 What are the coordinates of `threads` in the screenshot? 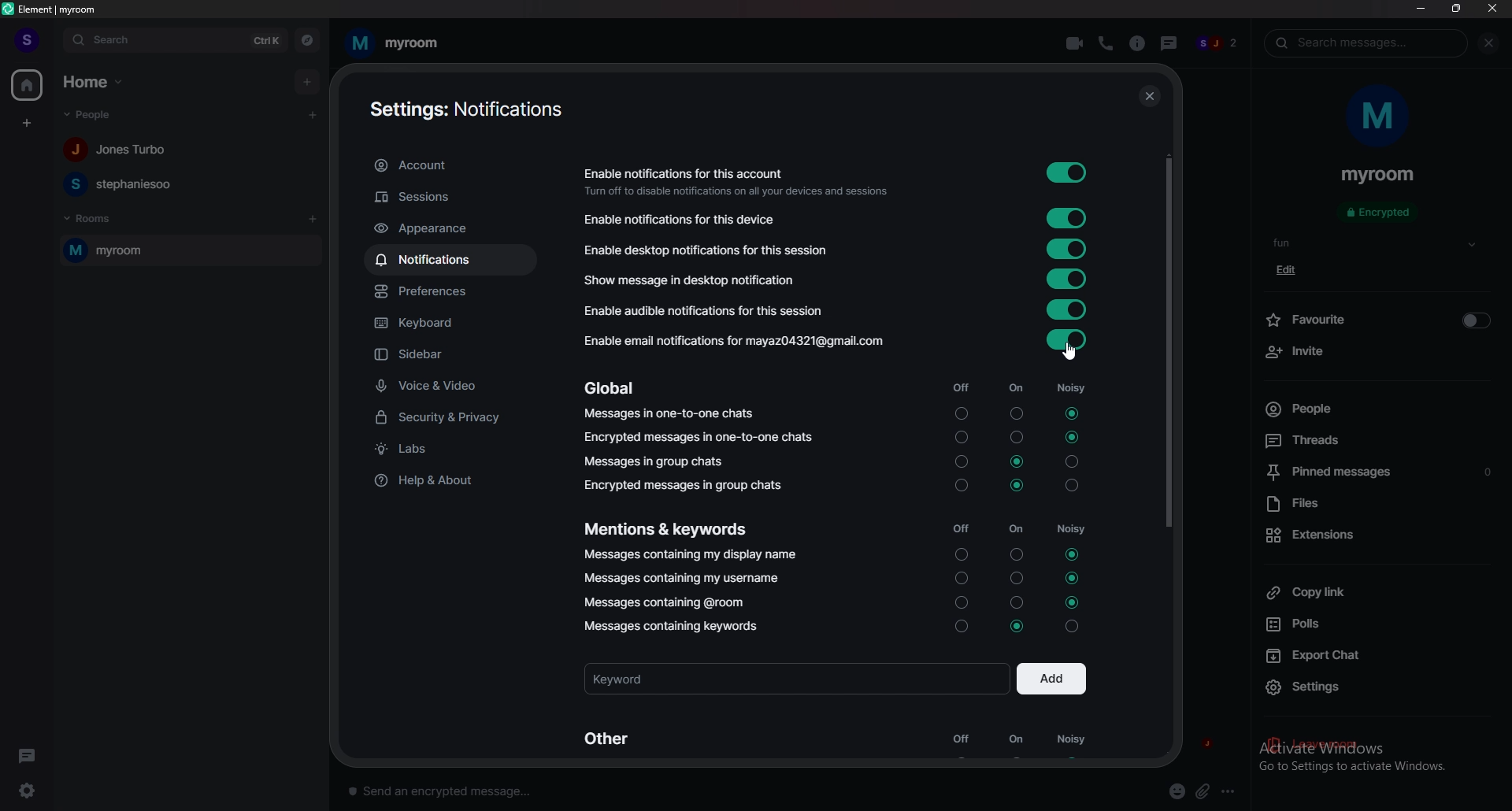 It's located at (1166, 41).